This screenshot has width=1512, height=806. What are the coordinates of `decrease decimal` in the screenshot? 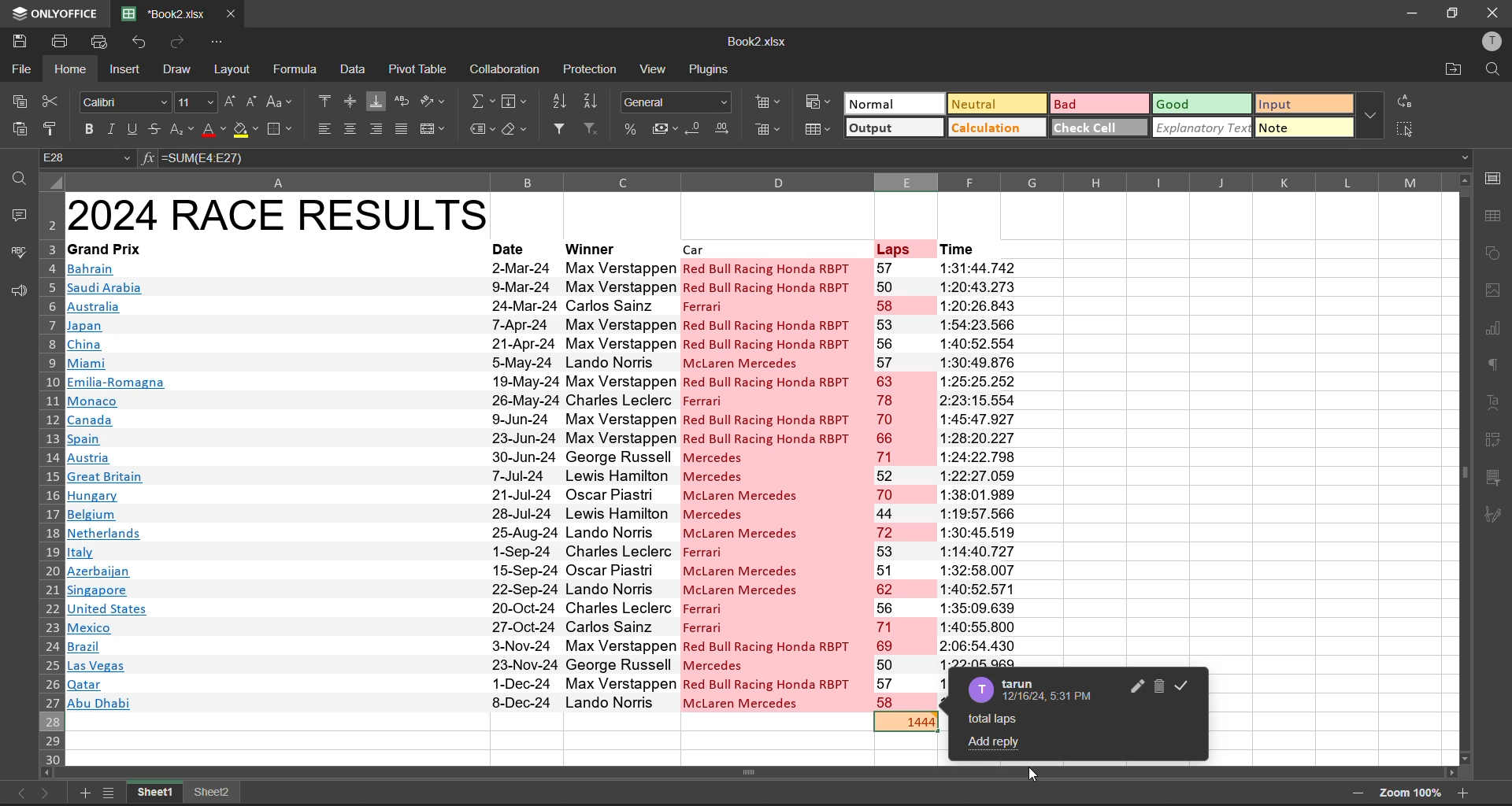 It's located at (695, 128).